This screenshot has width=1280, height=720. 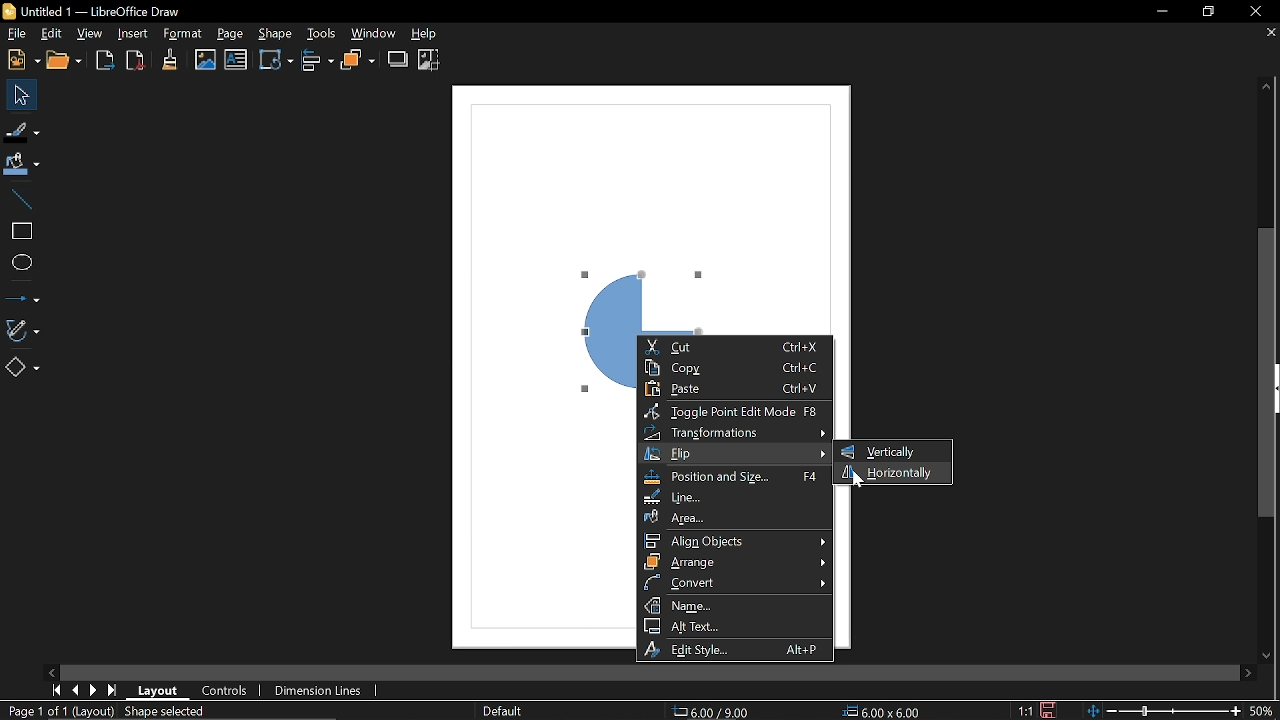 I want to click on Insert text, so click(x=235, y=60).